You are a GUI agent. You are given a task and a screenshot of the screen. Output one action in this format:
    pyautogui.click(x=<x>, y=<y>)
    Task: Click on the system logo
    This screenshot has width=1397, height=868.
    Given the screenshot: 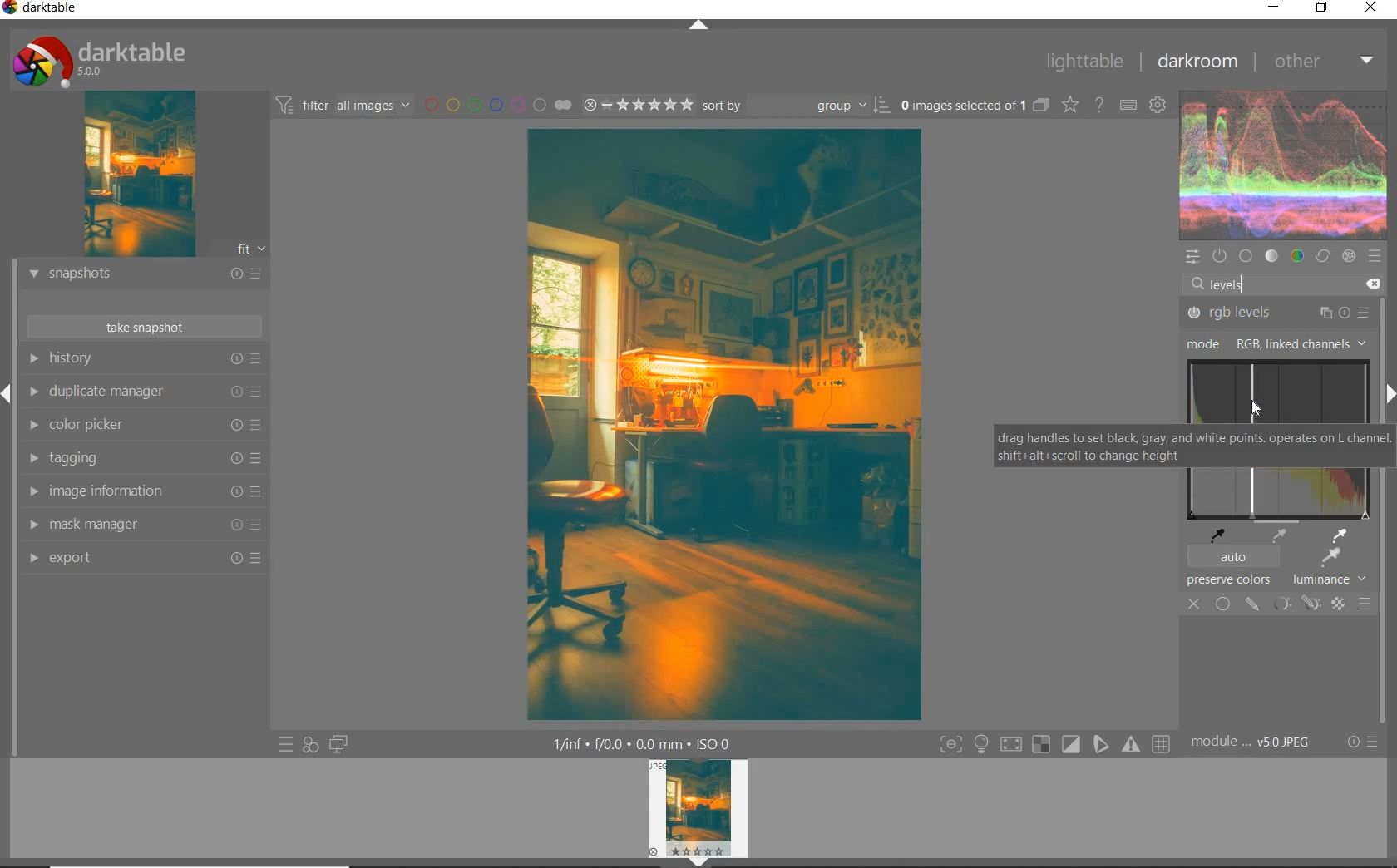 What is the action you would take?
    pyautogui.click(x=96, y=61)
    